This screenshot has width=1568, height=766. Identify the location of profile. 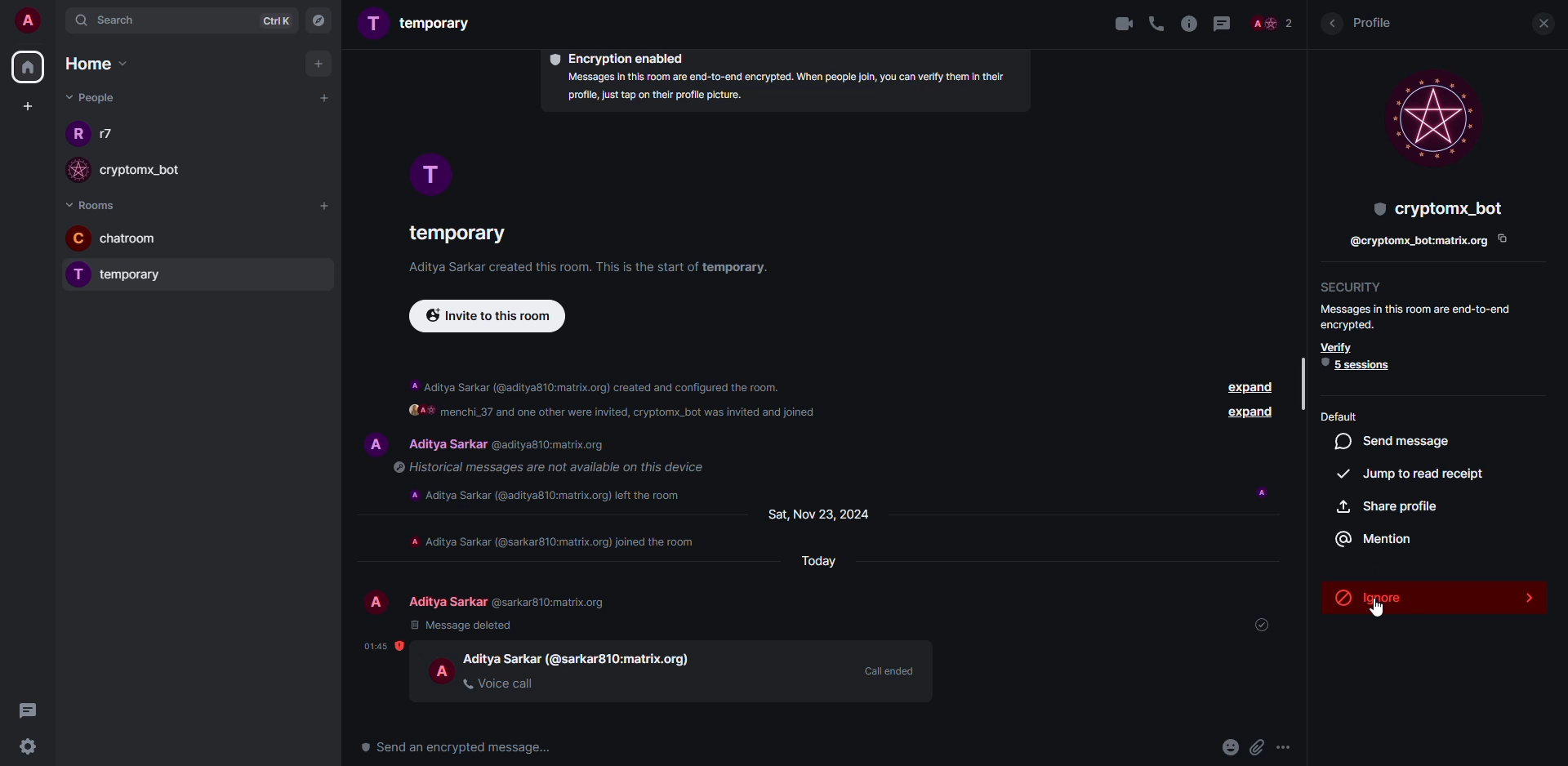
(75, 274).